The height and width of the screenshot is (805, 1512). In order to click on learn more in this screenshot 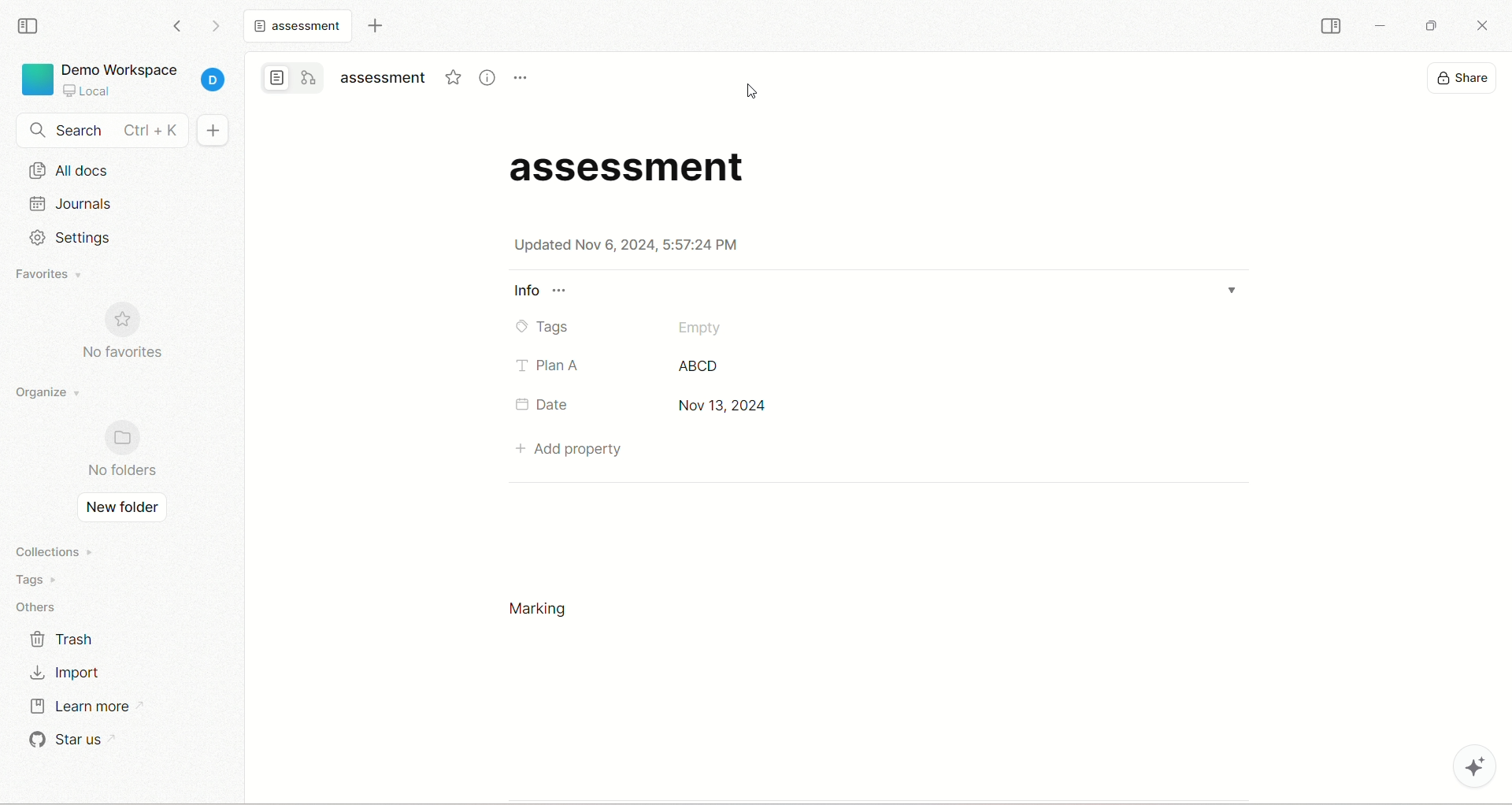, I will do `click(83, 707)`.